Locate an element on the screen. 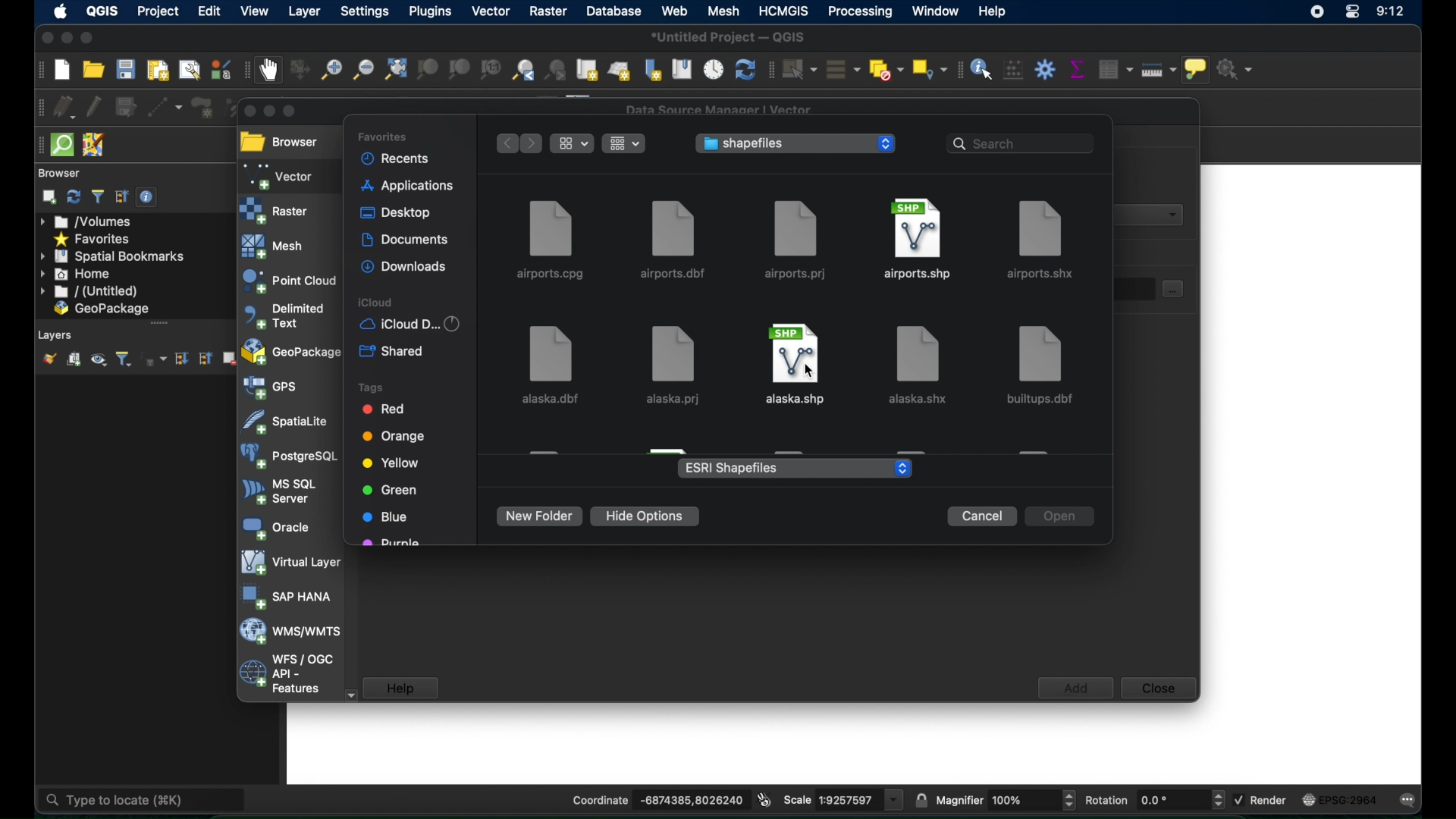 The image size is (1456, 819). refresh is located at coordinates (74, 197).